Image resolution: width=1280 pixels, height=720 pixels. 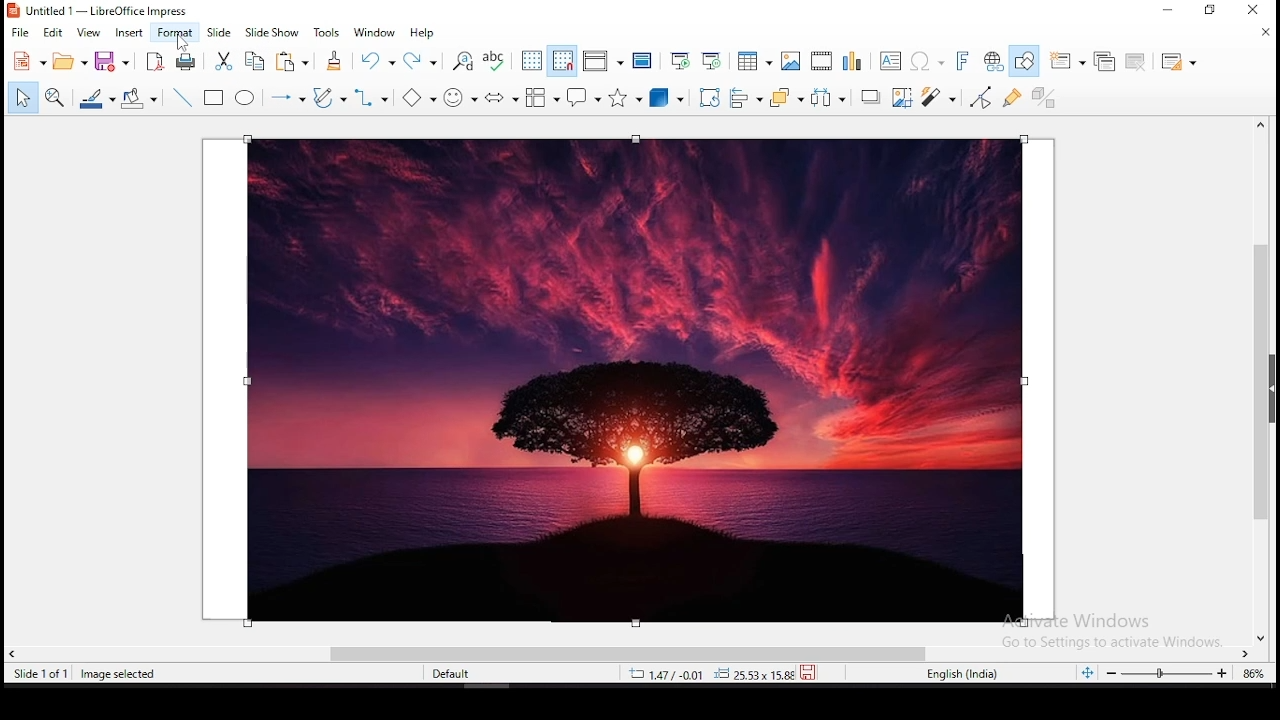 What do you see at coordinates (139, 97) in the screenshot?
I see `fill color` at bounding box center [139, 97].